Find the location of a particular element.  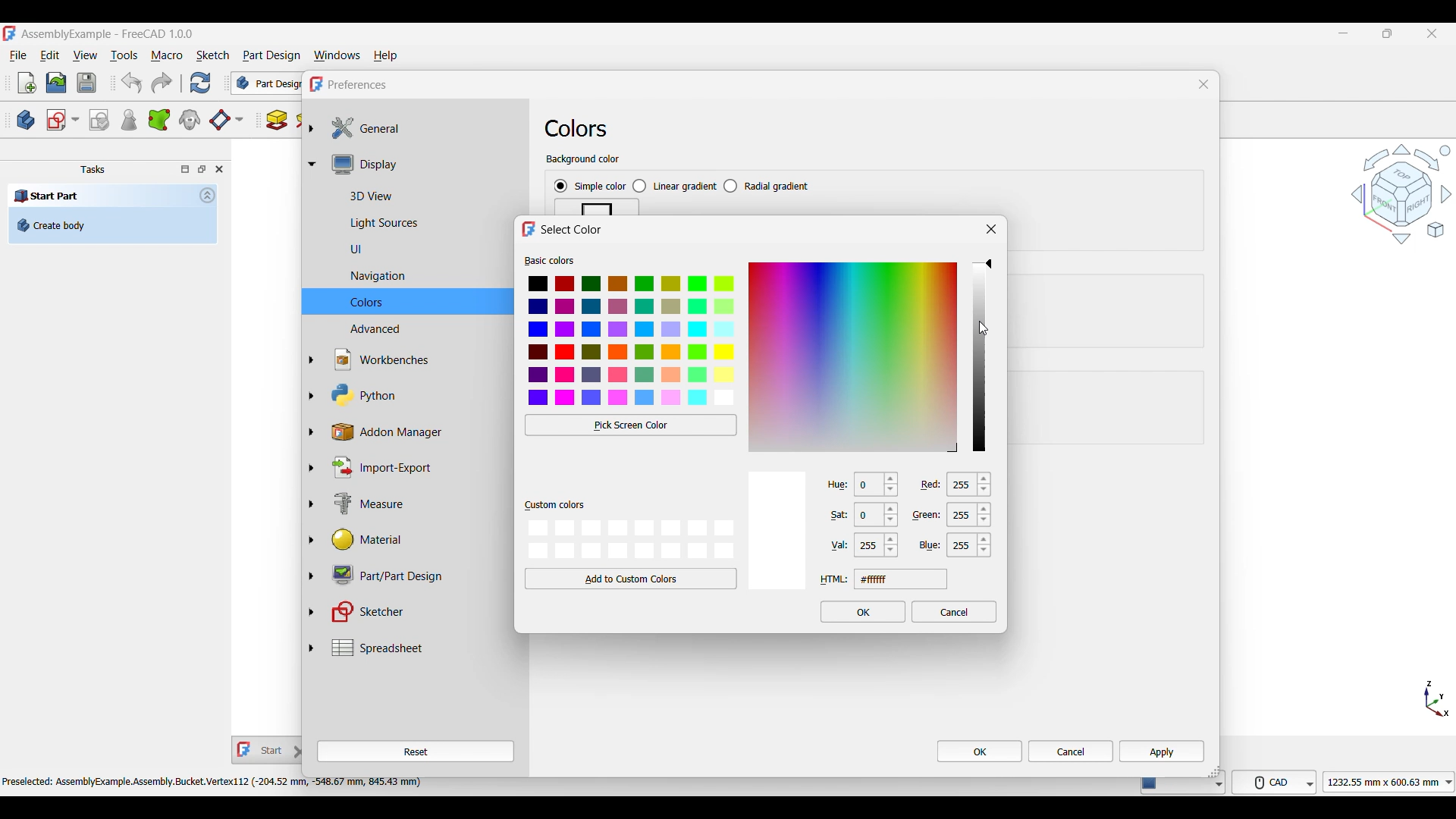

Close is located at coordinates (992, 229).